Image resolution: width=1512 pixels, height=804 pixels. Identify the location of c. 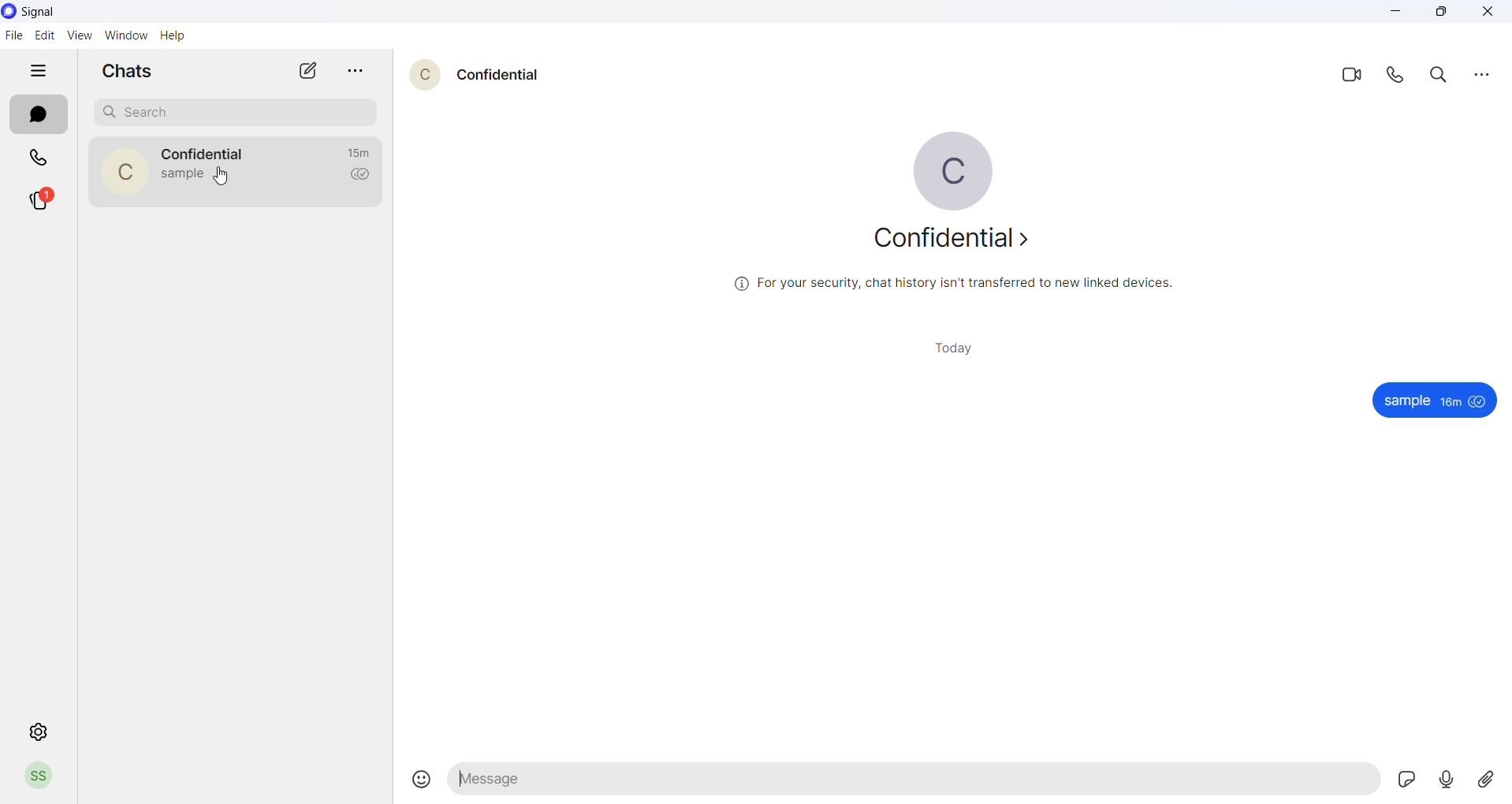
(425, 74).